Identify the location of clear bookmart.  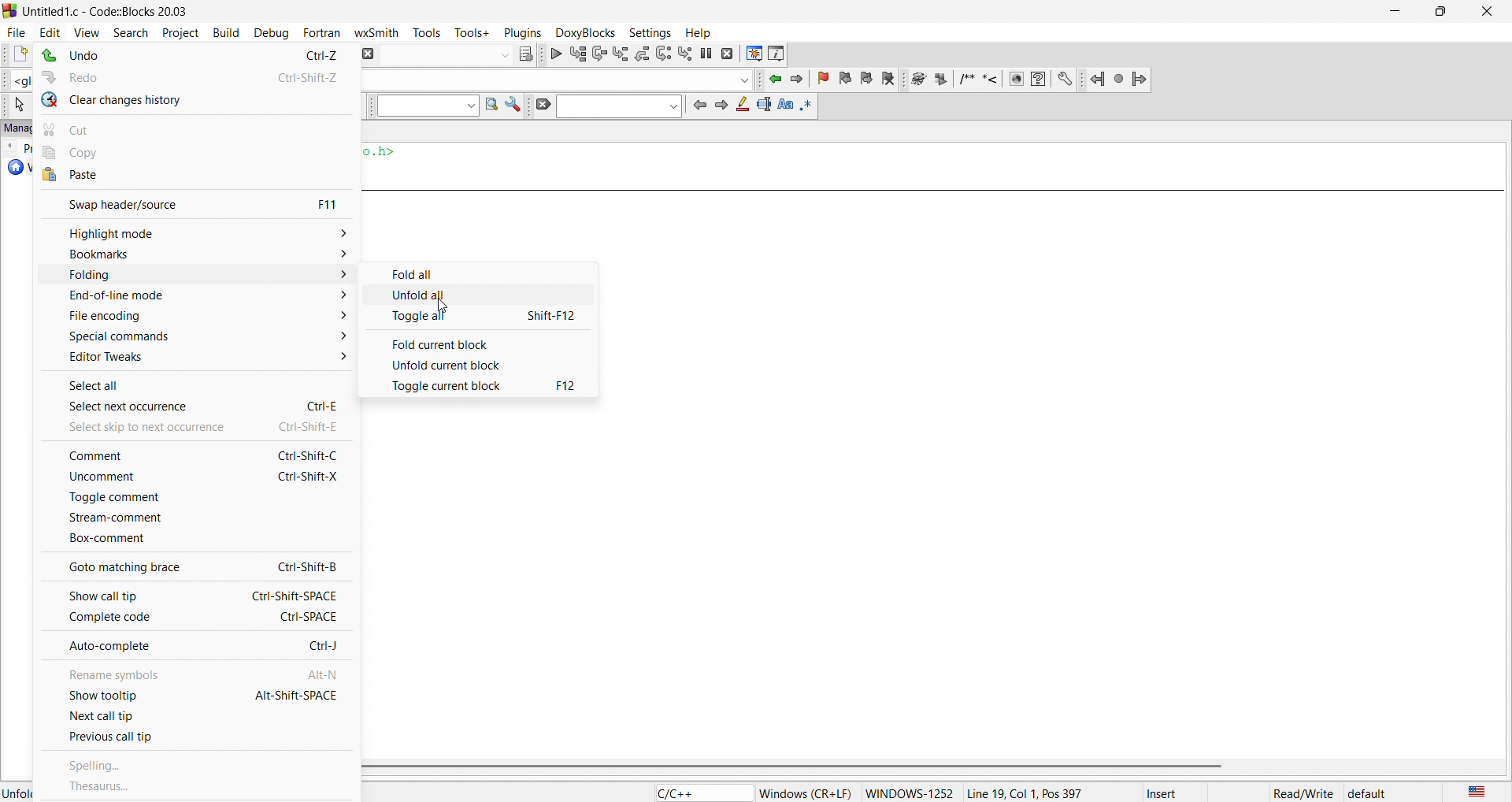
(891, 80).